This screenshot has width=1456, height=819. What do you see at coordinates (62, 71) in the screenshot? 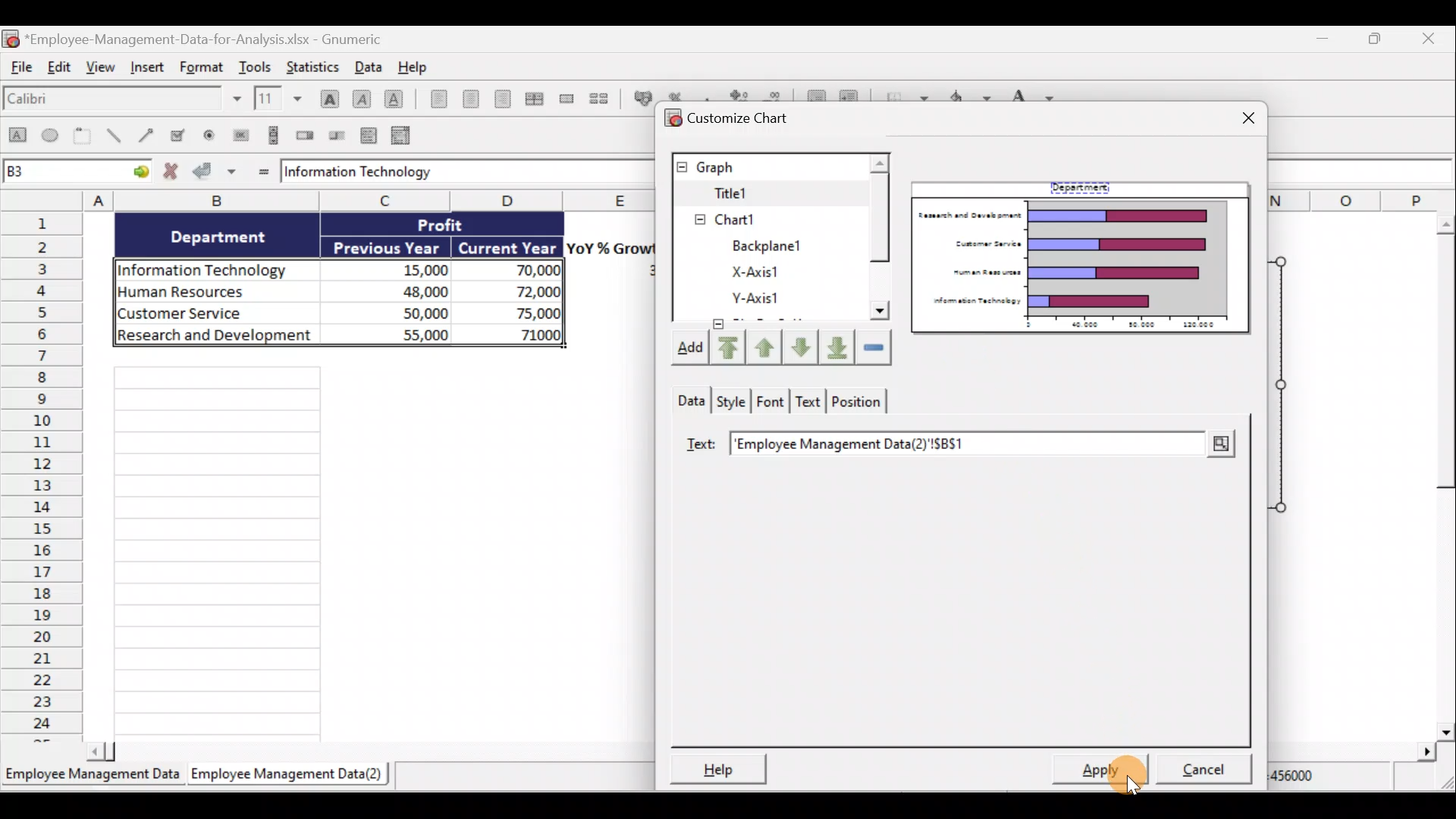
I see `Edit` at bounding box center [62, 71].